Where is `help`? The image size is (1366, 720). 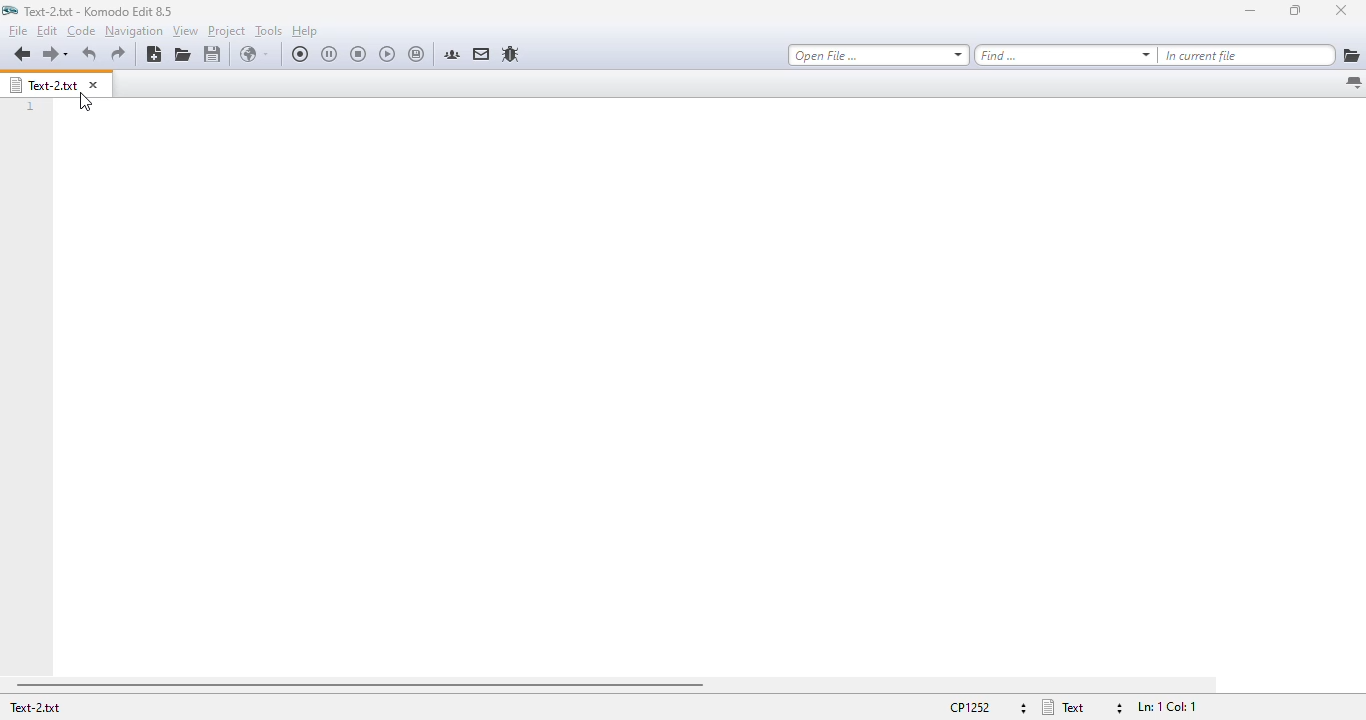
help is located at coordinates (305, 32).